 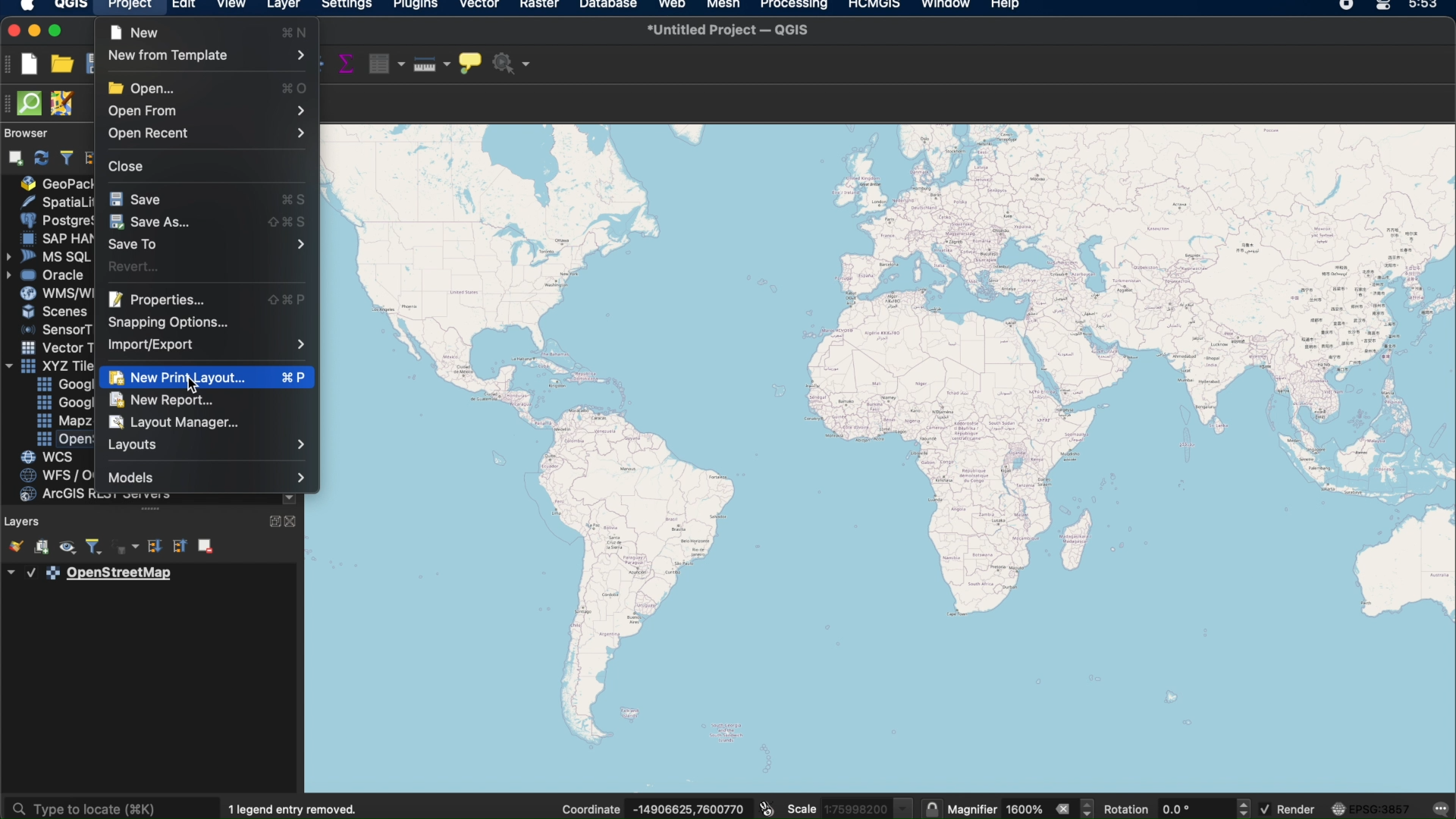 I want to click on Layout Manager, so click(x=174, y=424).